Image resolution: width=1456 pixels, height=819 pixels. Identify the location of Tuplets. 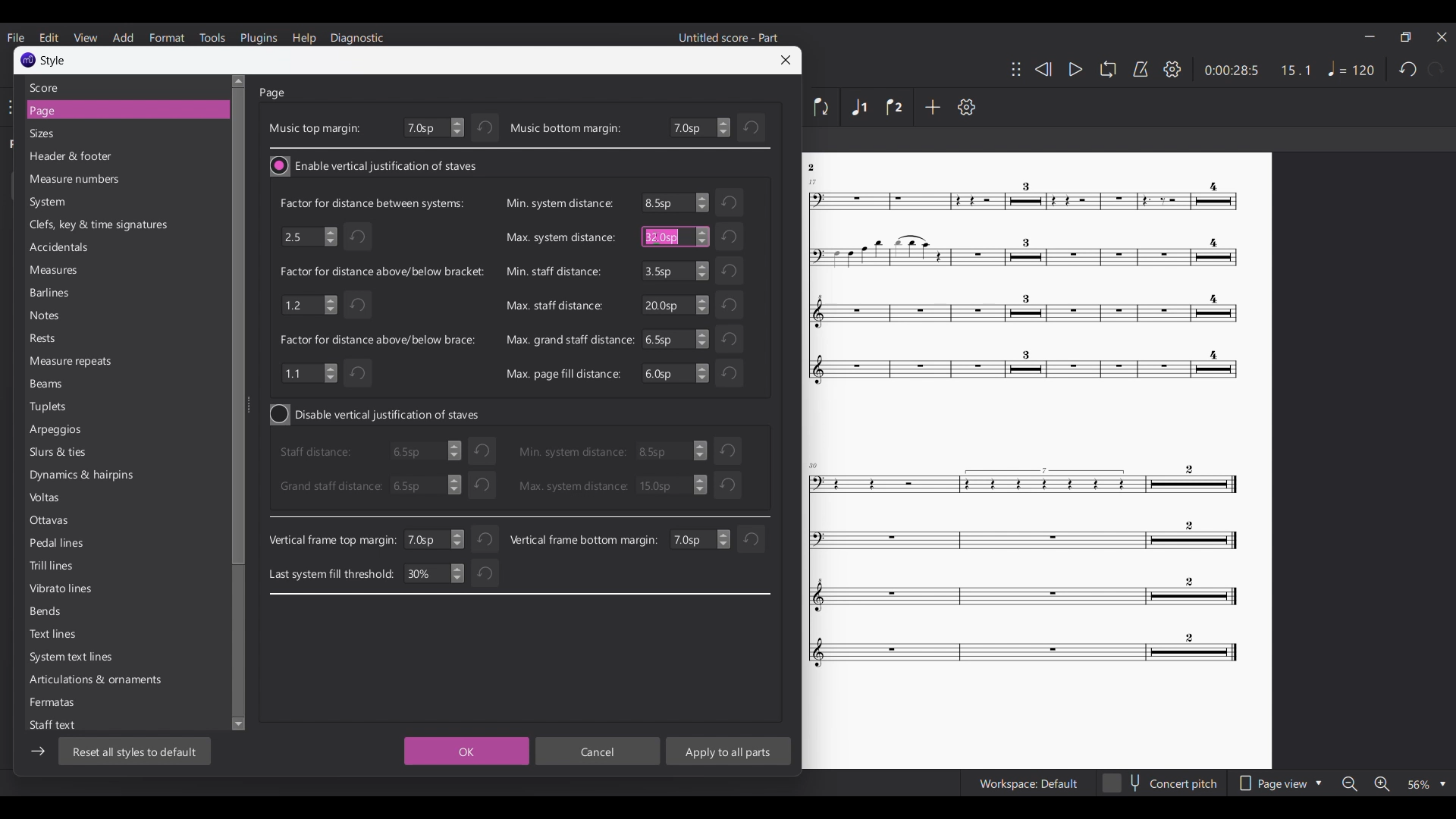
(71, 406).